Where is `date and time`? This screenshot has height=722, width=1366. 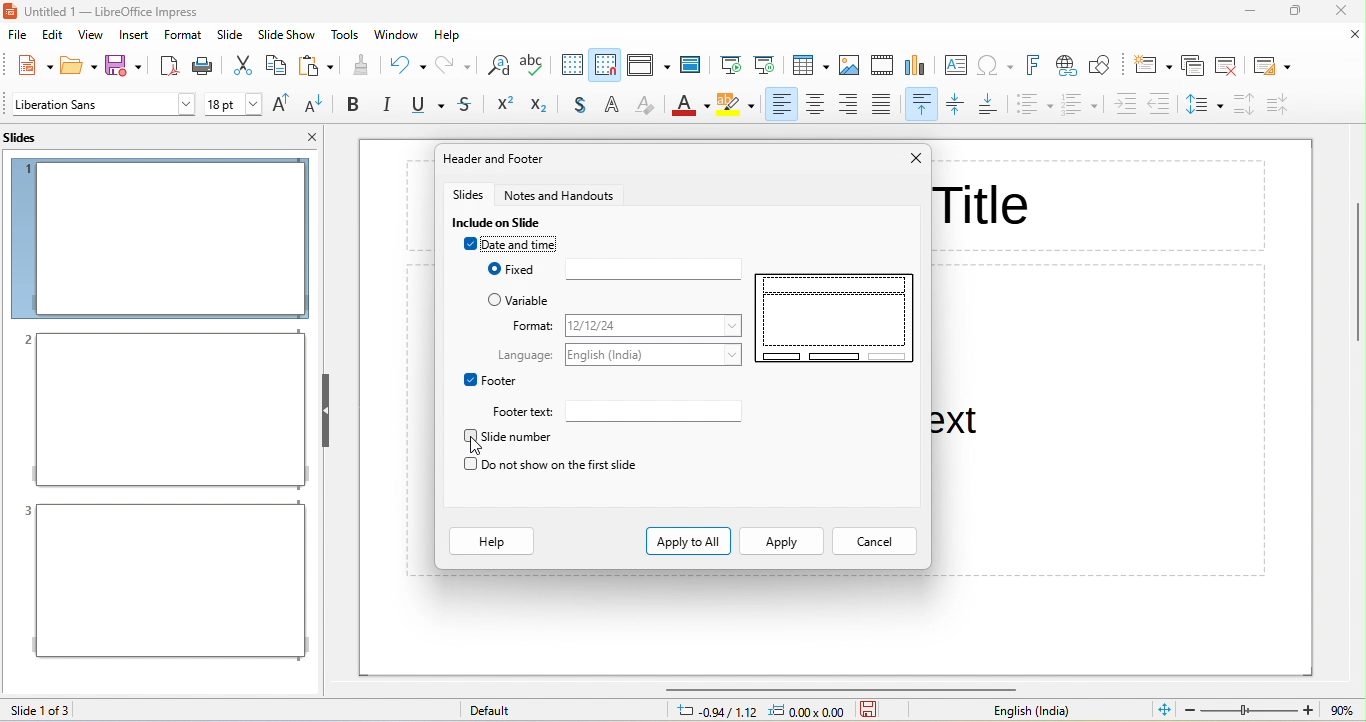 date and time is located at coordinates (529, 244).